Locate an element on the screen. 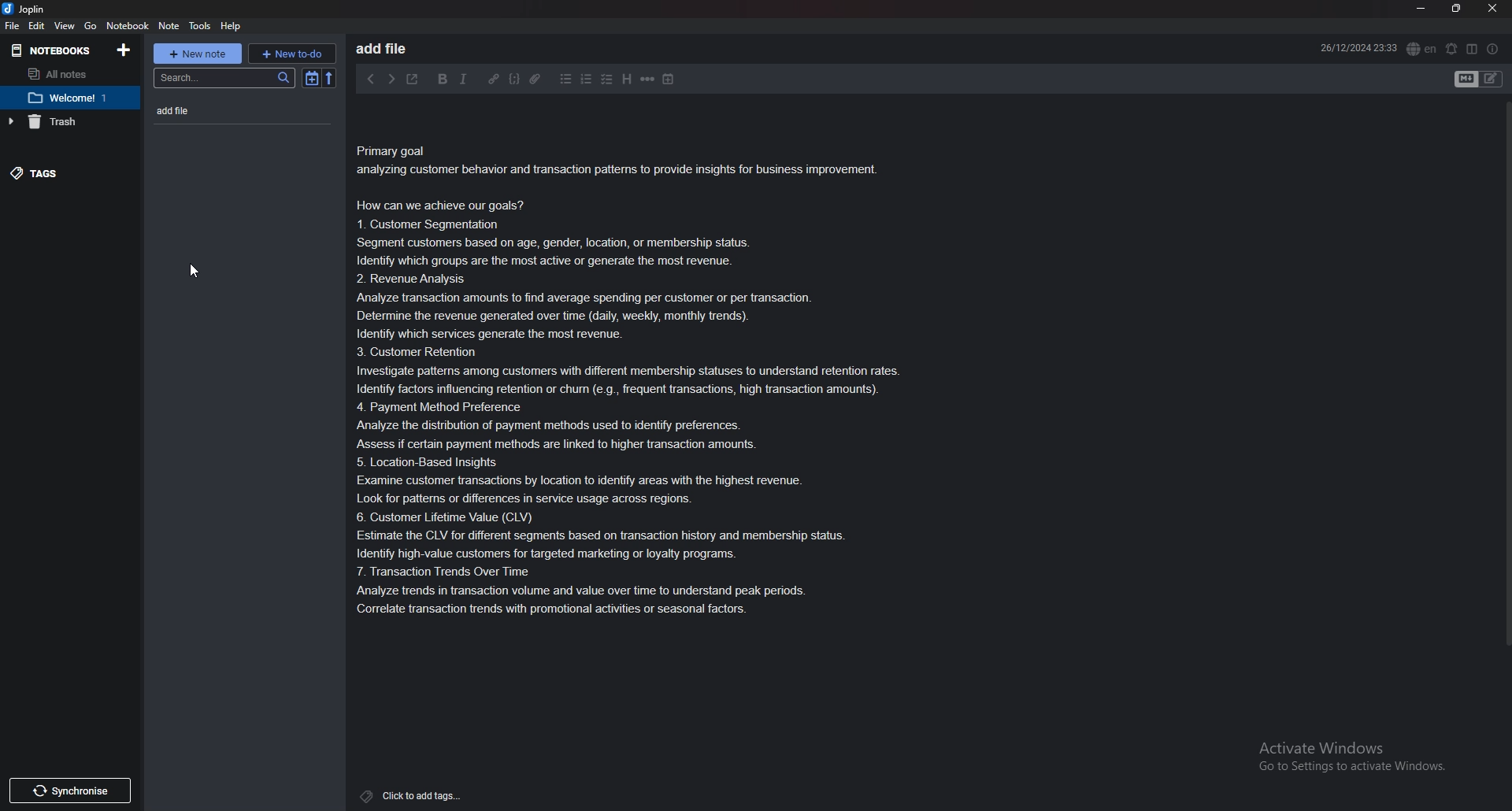 The height and width of the screenshot is (811, 1512). welcome 1 is located at coordinates (67, 98).